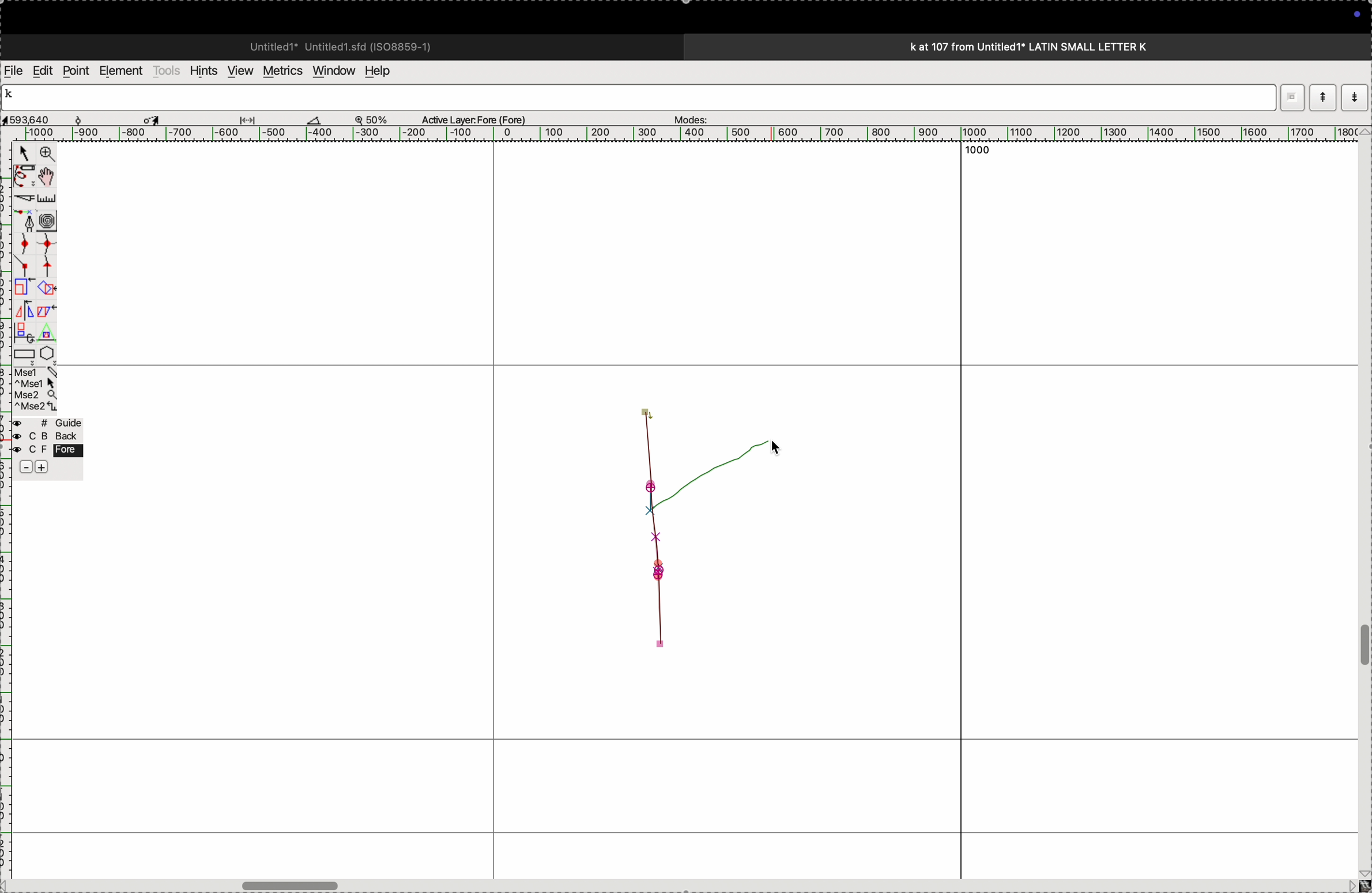 Image resolution: width=1372 pixels, height=893 pixels. What do you see at coordinates (1060, 46) in the screenshot?
I see `title` at bounding box center [1060, 46].